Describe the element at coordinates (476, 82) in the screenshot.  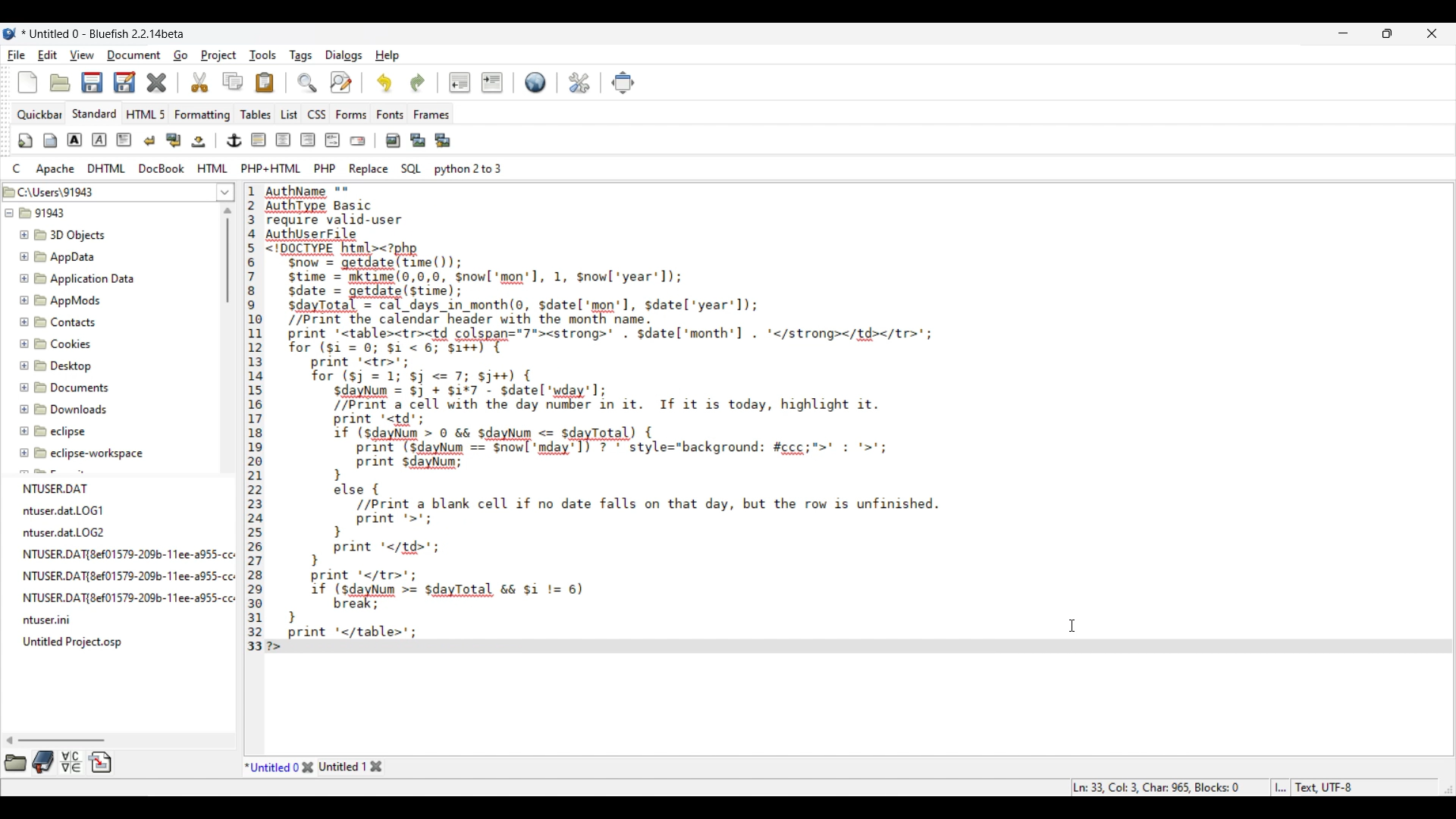
I see `Indentation` at that location.